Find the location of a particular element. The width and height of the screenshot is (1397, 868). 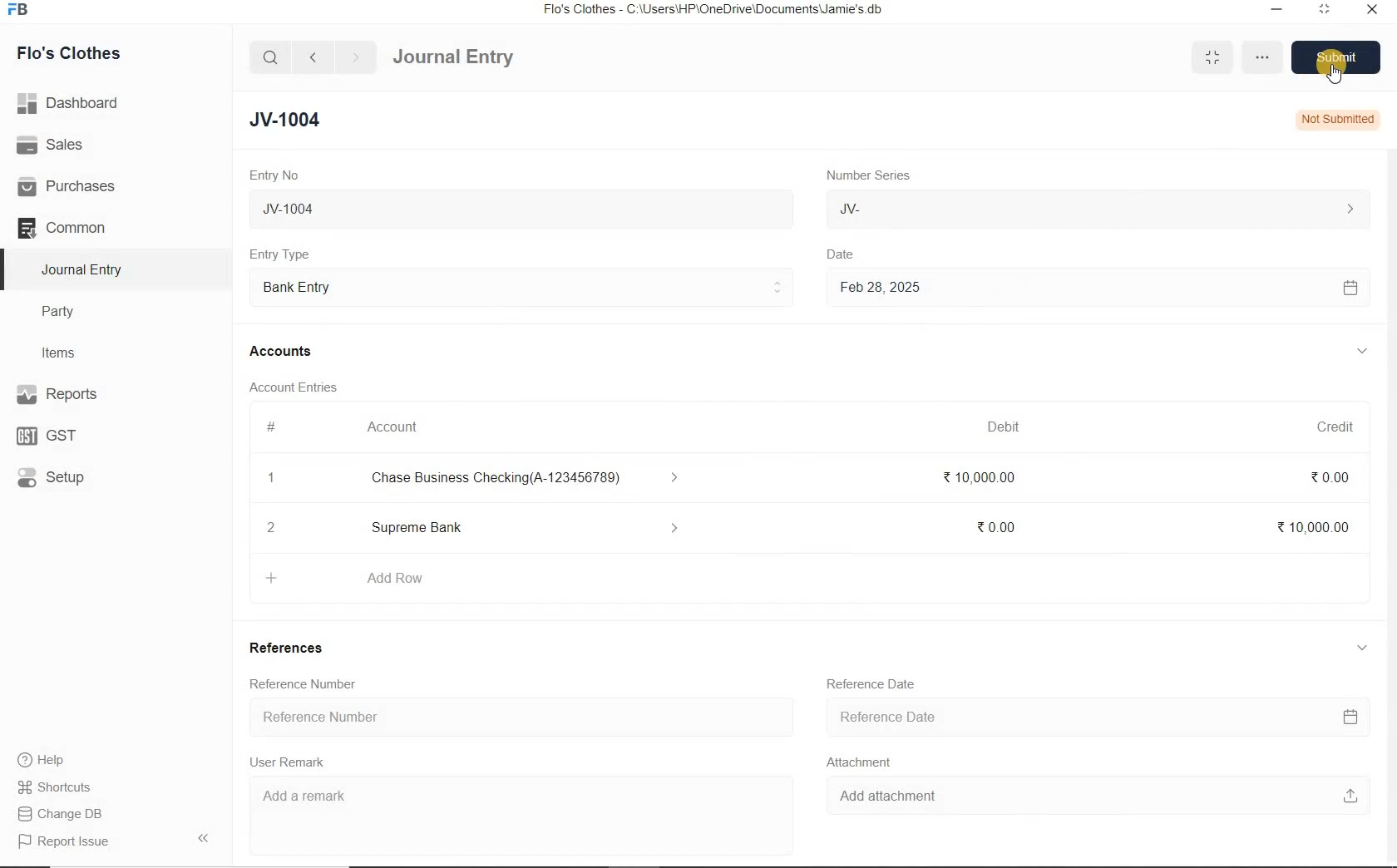

Add Row is located at coordinates (526, 525).